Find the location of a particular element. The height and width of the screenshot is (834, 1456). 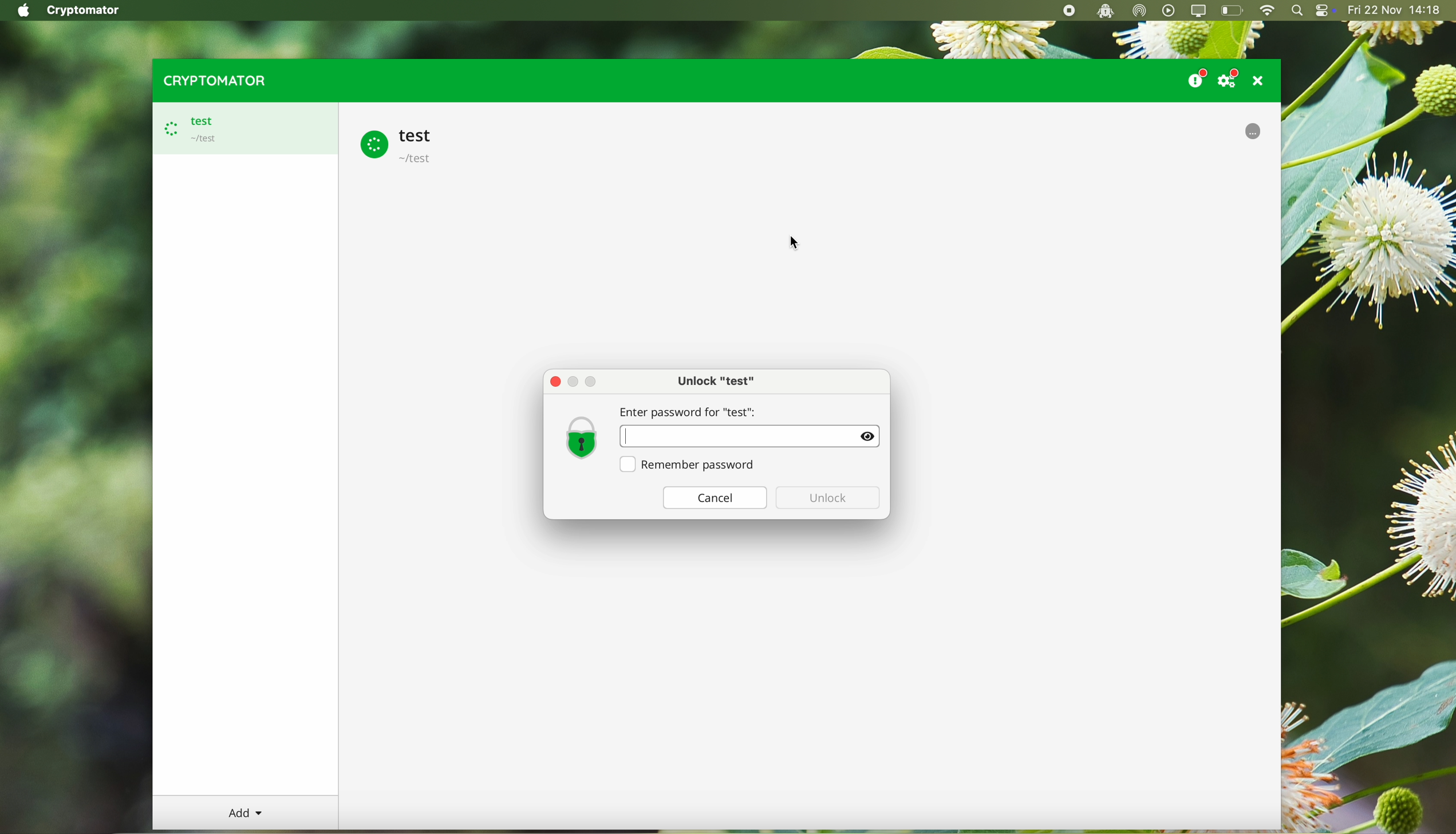

unlock test is located at coordinates (719, 381).